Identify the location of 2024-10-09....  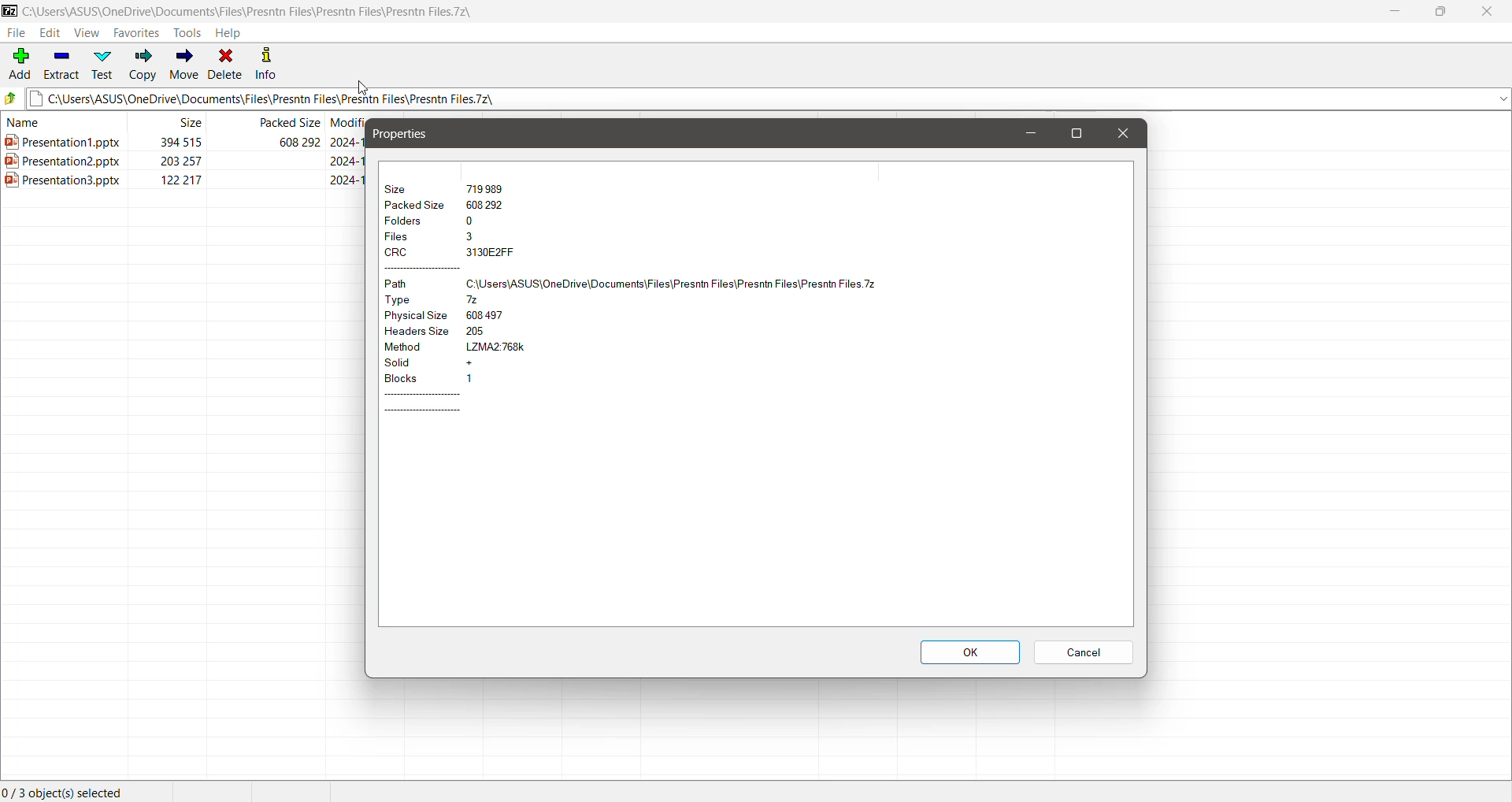
(344, 180).